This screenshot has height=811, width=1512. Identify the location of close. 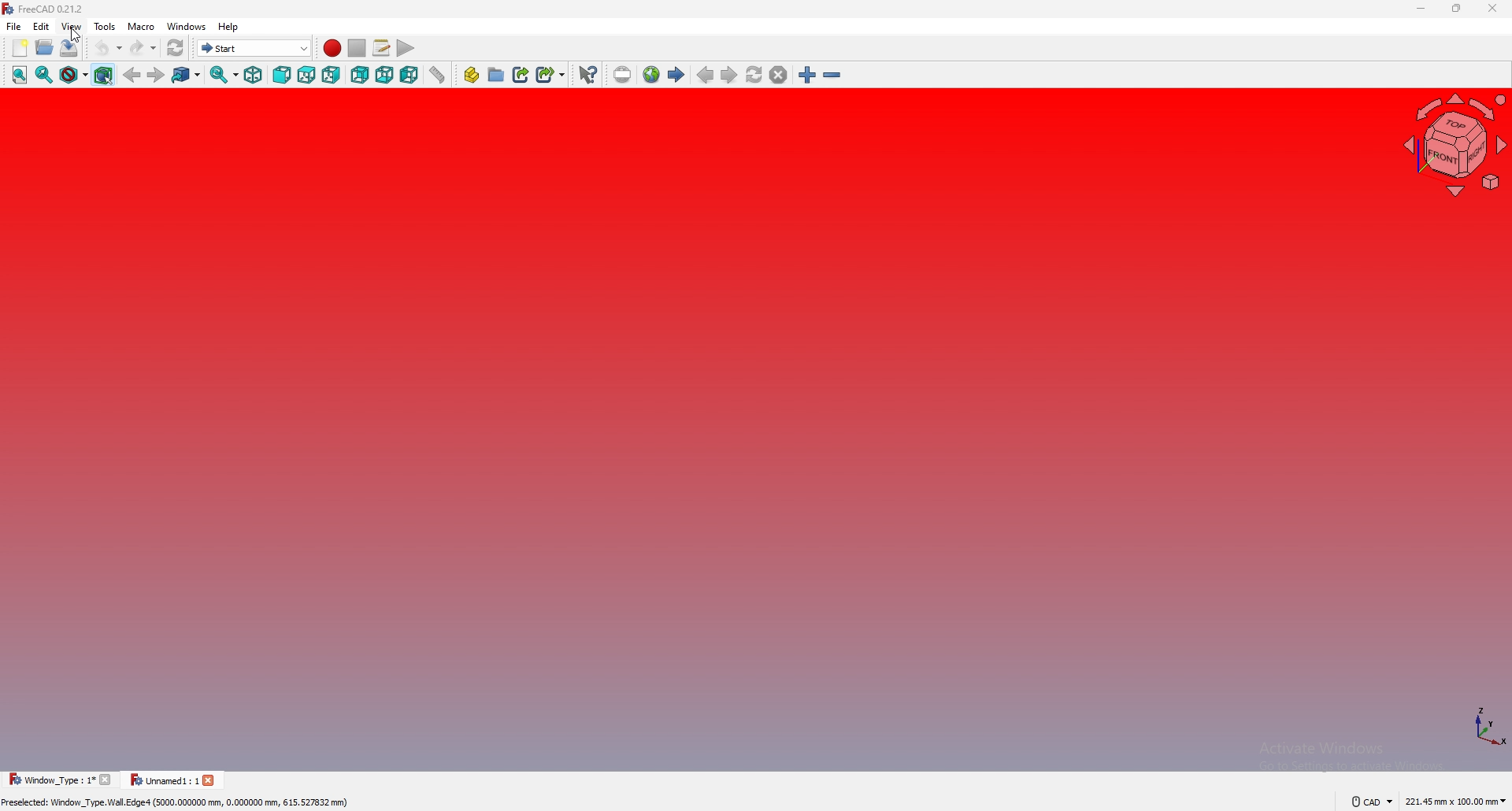
(109, 780).